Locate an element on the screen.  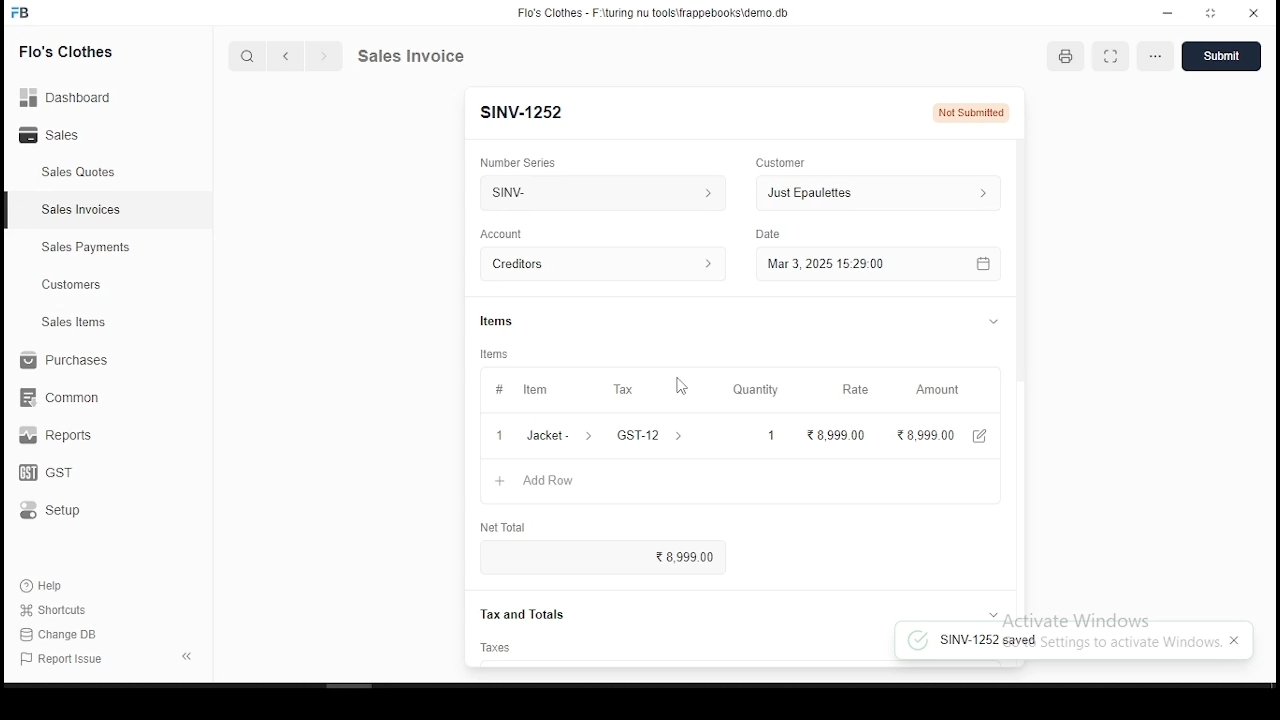
Flo's clothes is located at coordinates (82, 53).